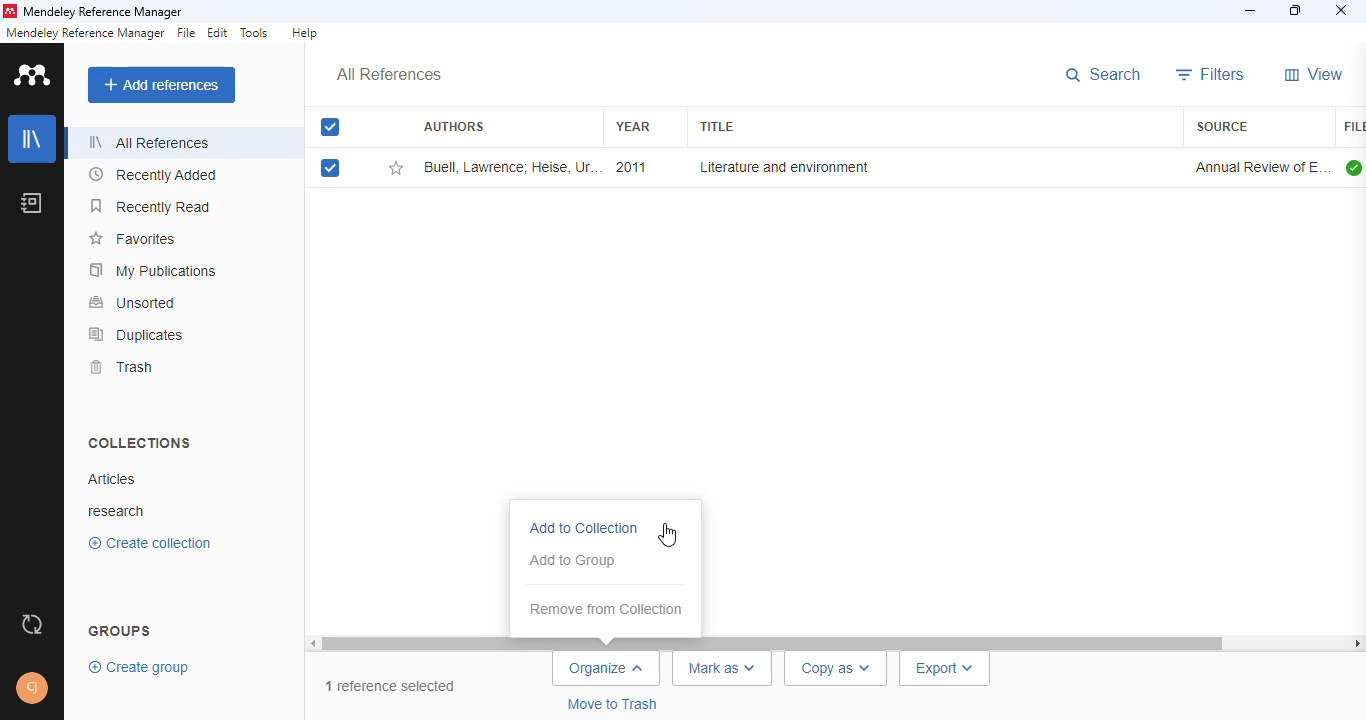 The image size is (1366, 720). What do you see at coordinates (31, 203) in the screenshot?
I see `notebook` at bounding box center [31, 203].